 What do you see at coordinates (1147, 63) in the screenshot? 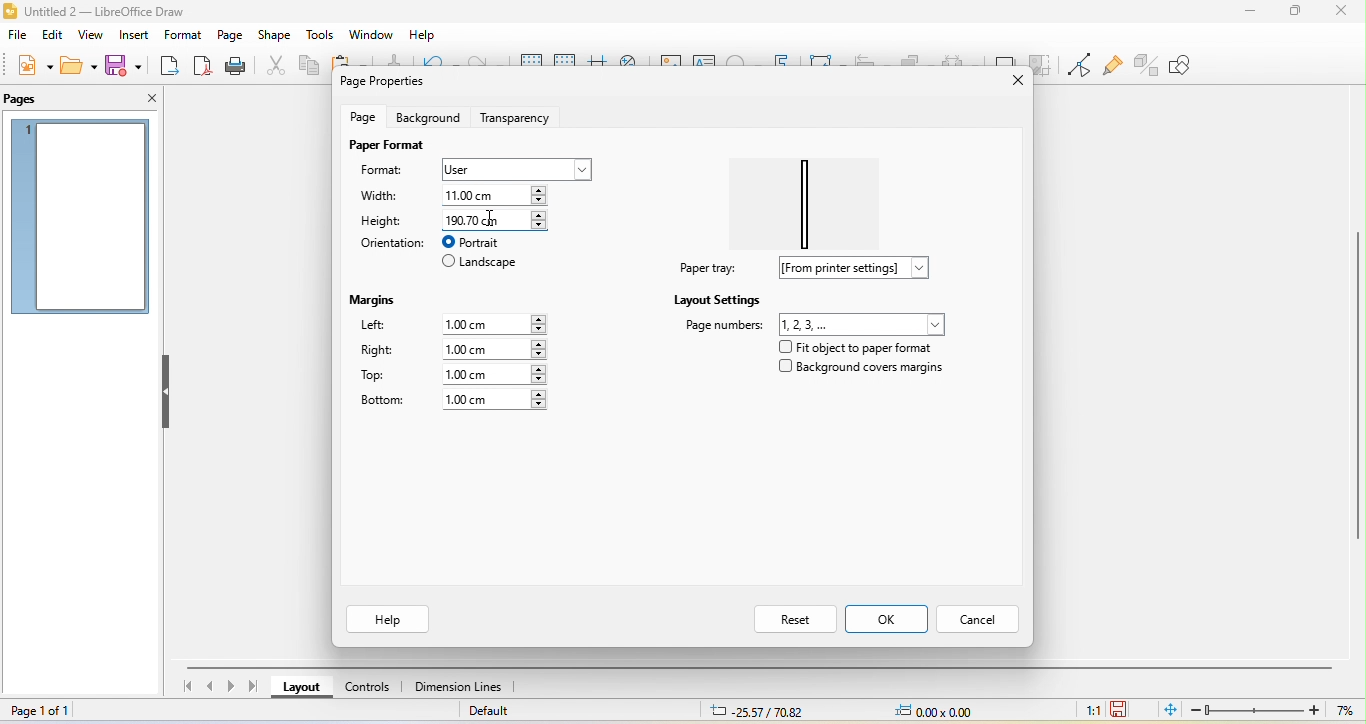
I see `toggle extrusion` at bounding box center [1147, 63].